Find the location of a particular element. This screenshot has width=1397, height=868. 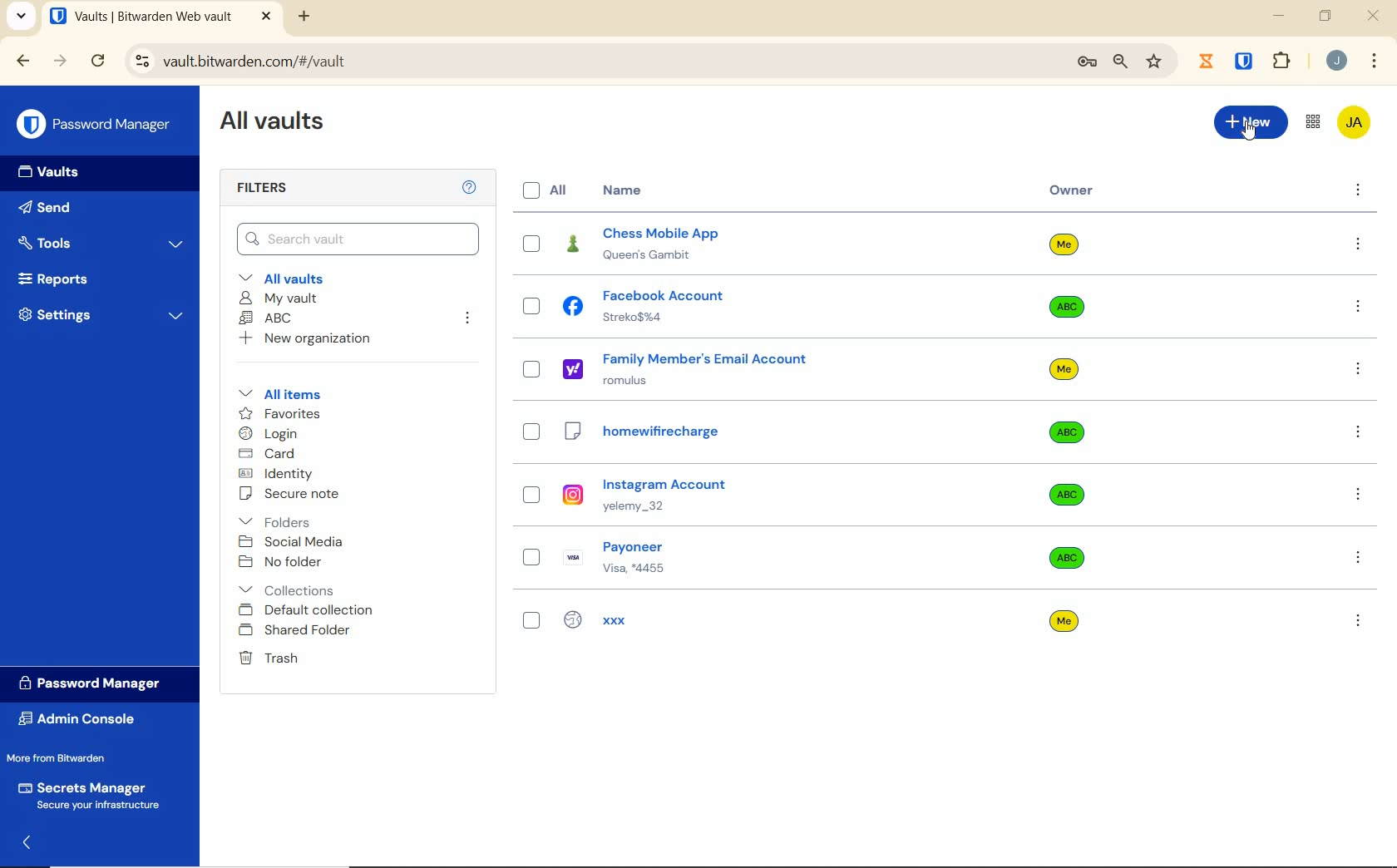

ABC is located at coordinates (269, 319).